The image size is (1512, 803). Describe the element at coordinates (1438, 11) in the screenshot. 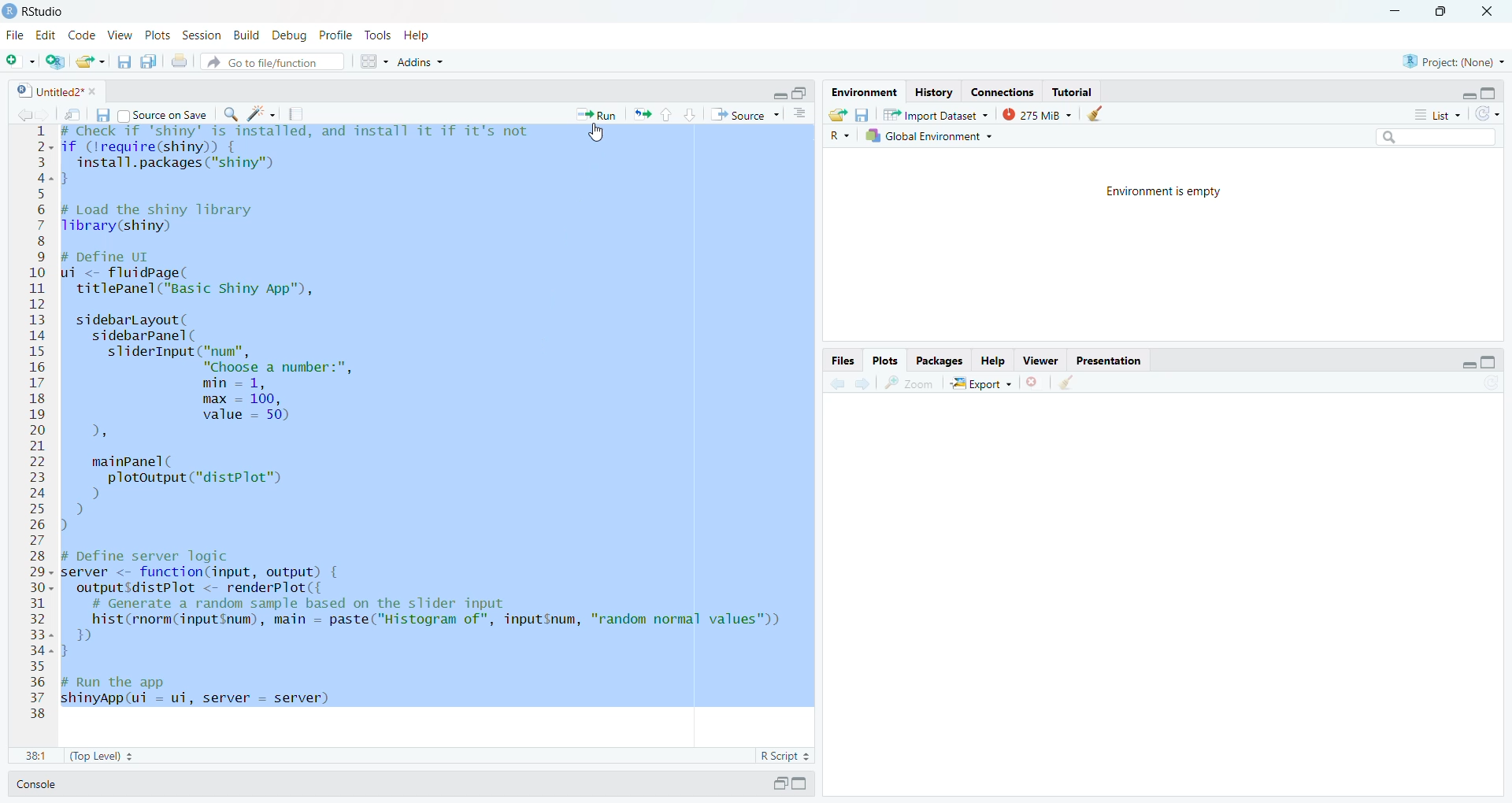

I see `resize` at that location.